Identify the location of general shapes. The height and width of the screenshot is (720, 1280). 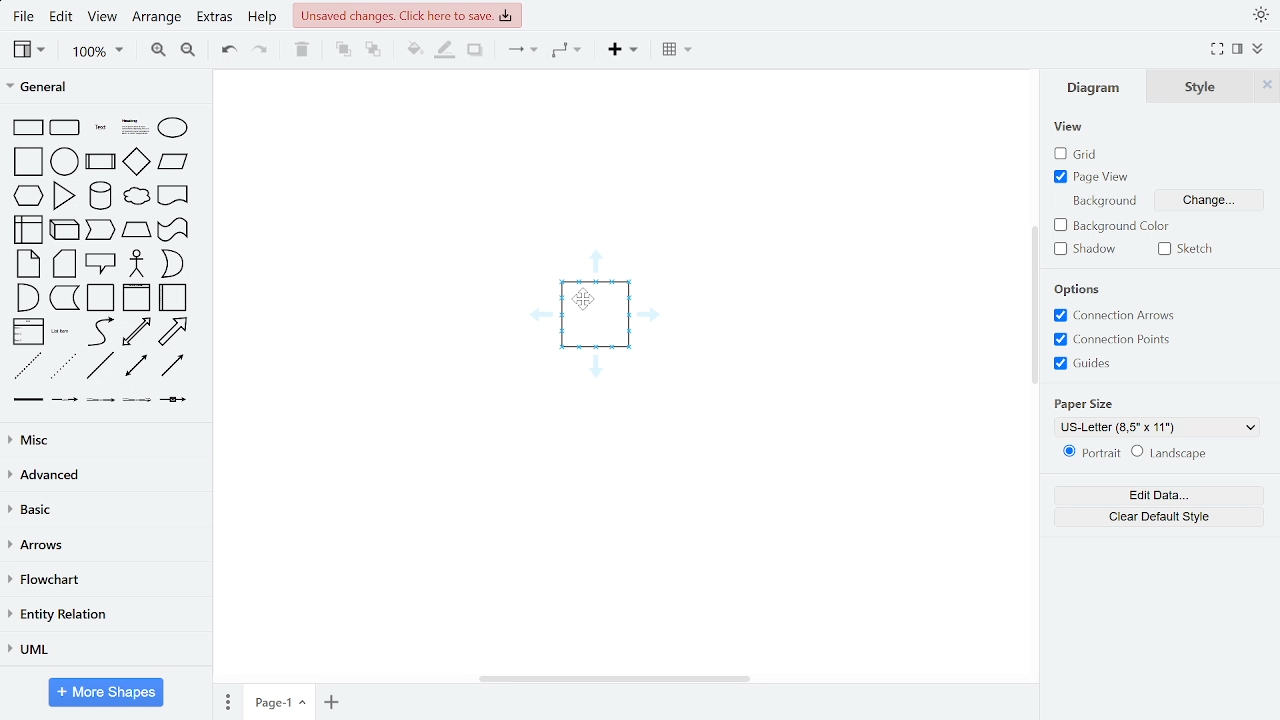
(62, 230).